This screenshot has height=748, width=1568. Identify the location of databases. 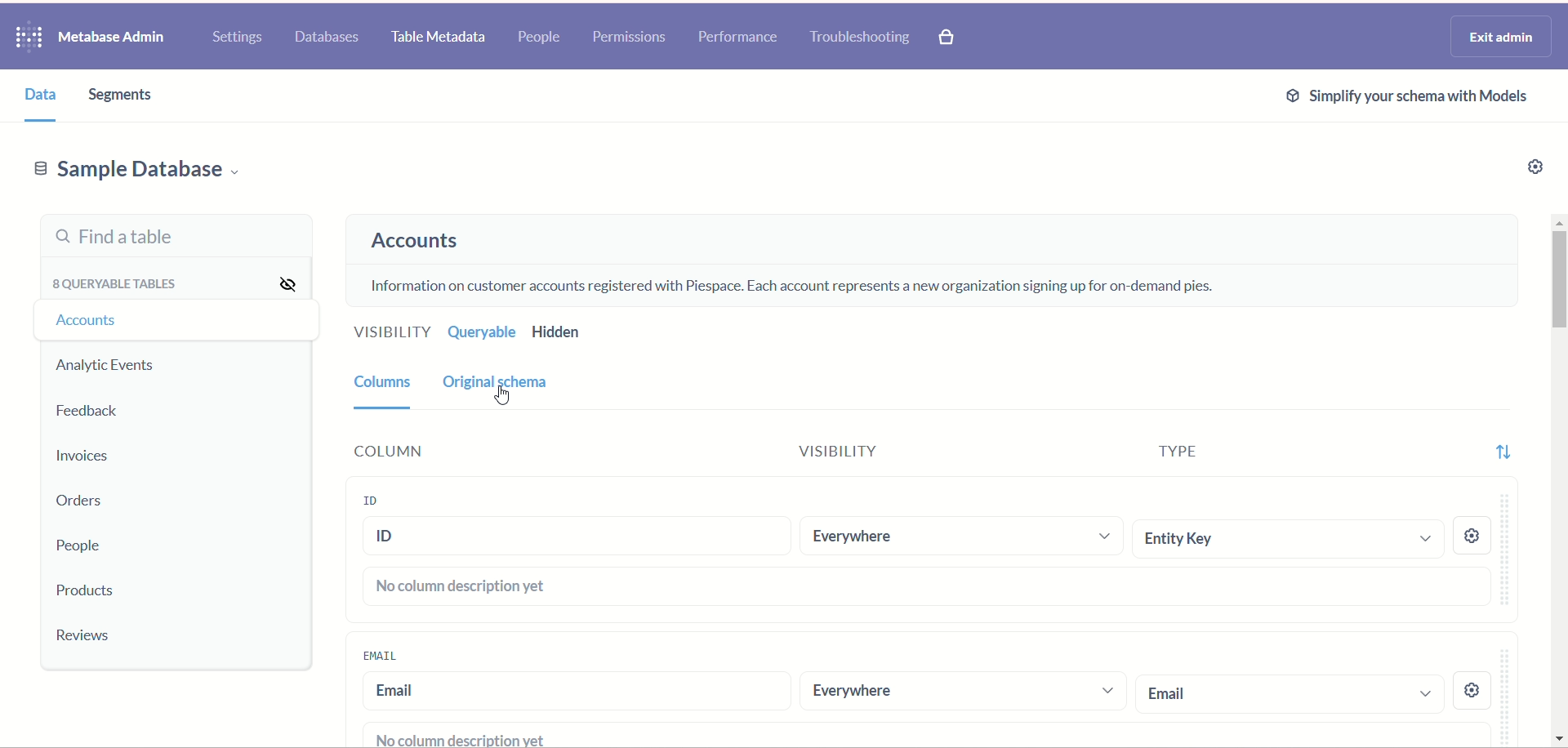
(324, 38).